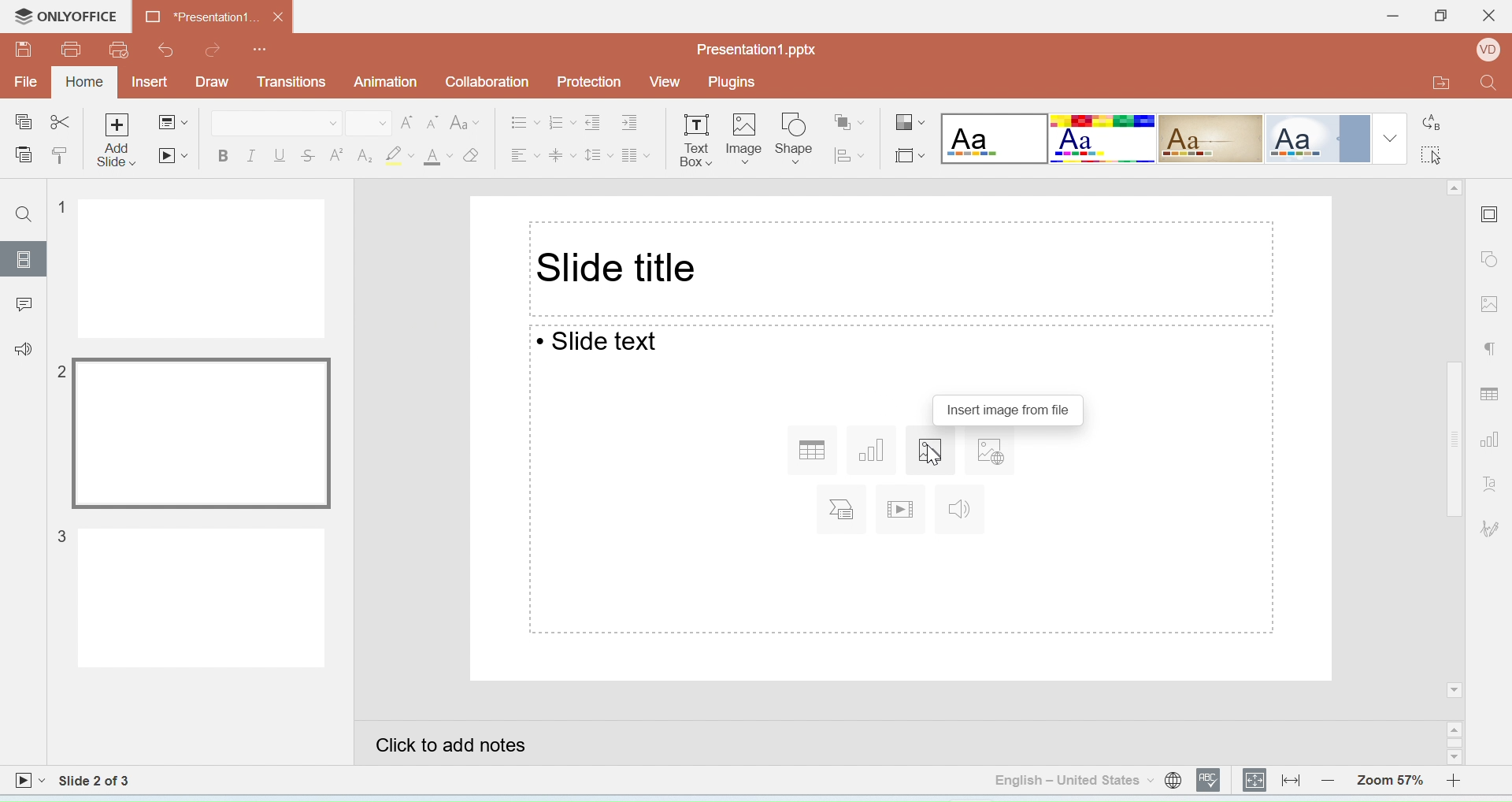 This screenshot has height=802, width=1512. I want to click on Find, so click(26, 216).